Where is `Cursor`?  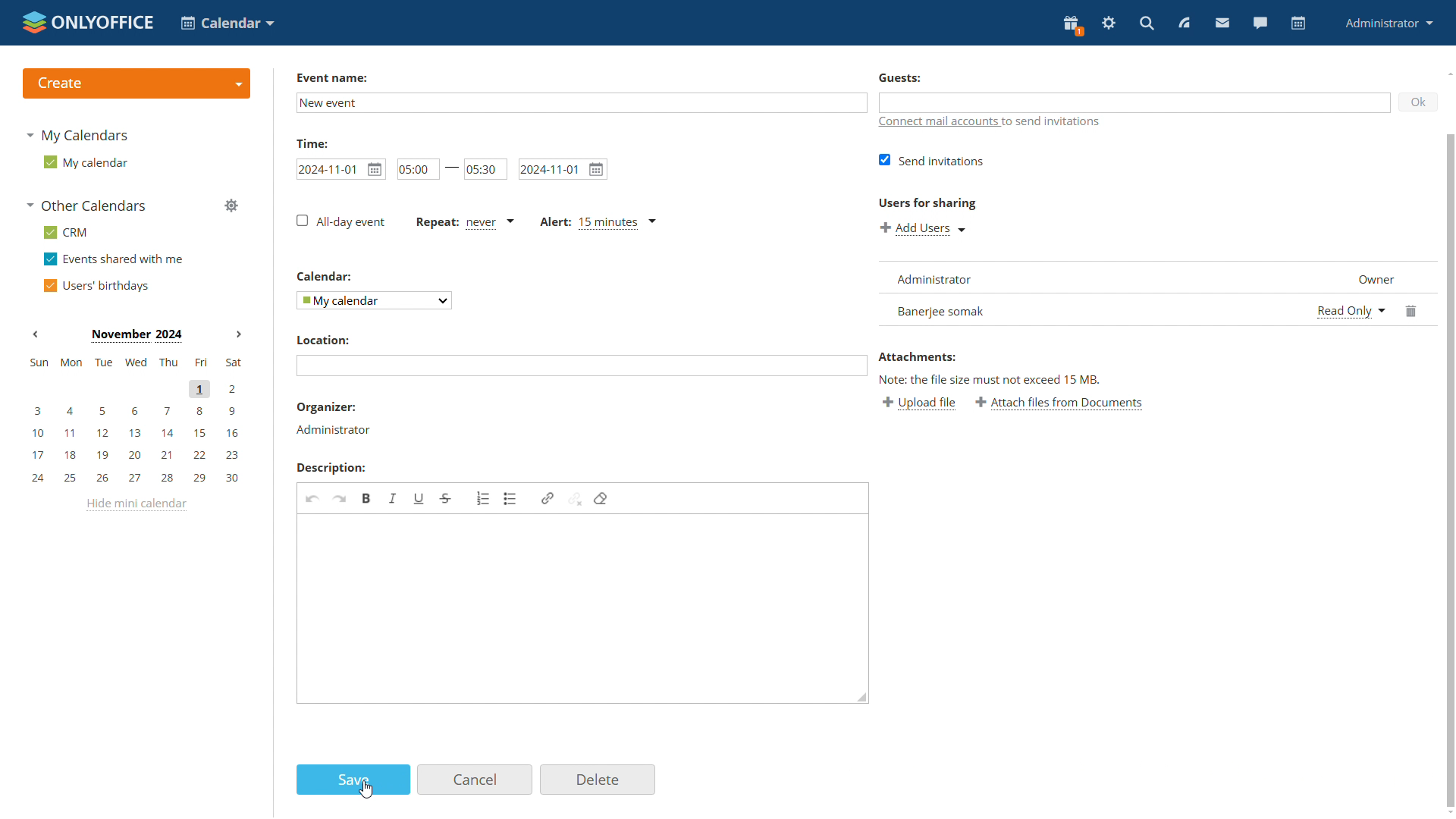
Cursor is located at coordinates (366, 790).